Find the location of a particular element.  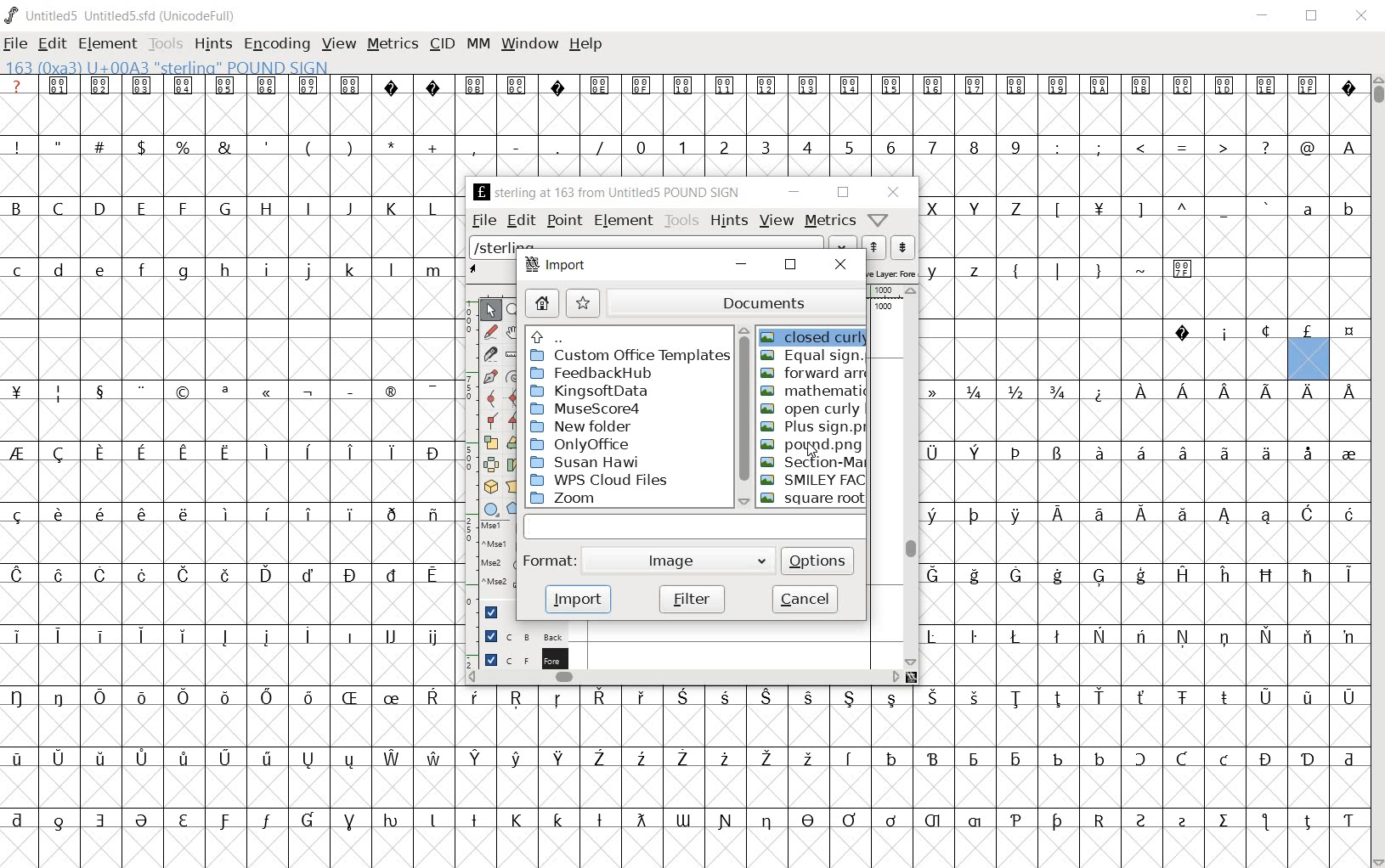

Symbol is located at coordinates (1099, 819).